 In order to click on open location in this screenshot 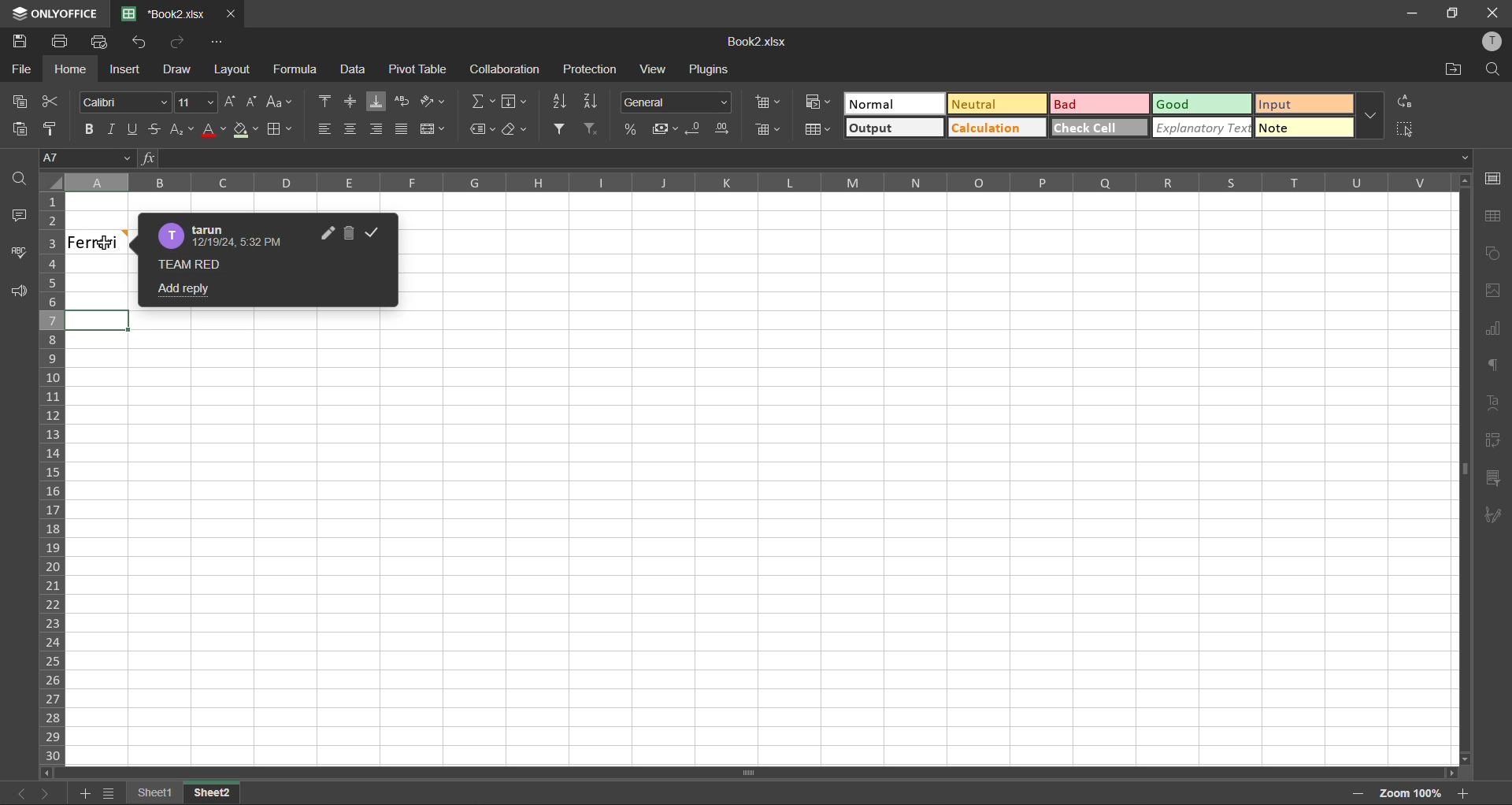, I will do `click(1455, 72)`.